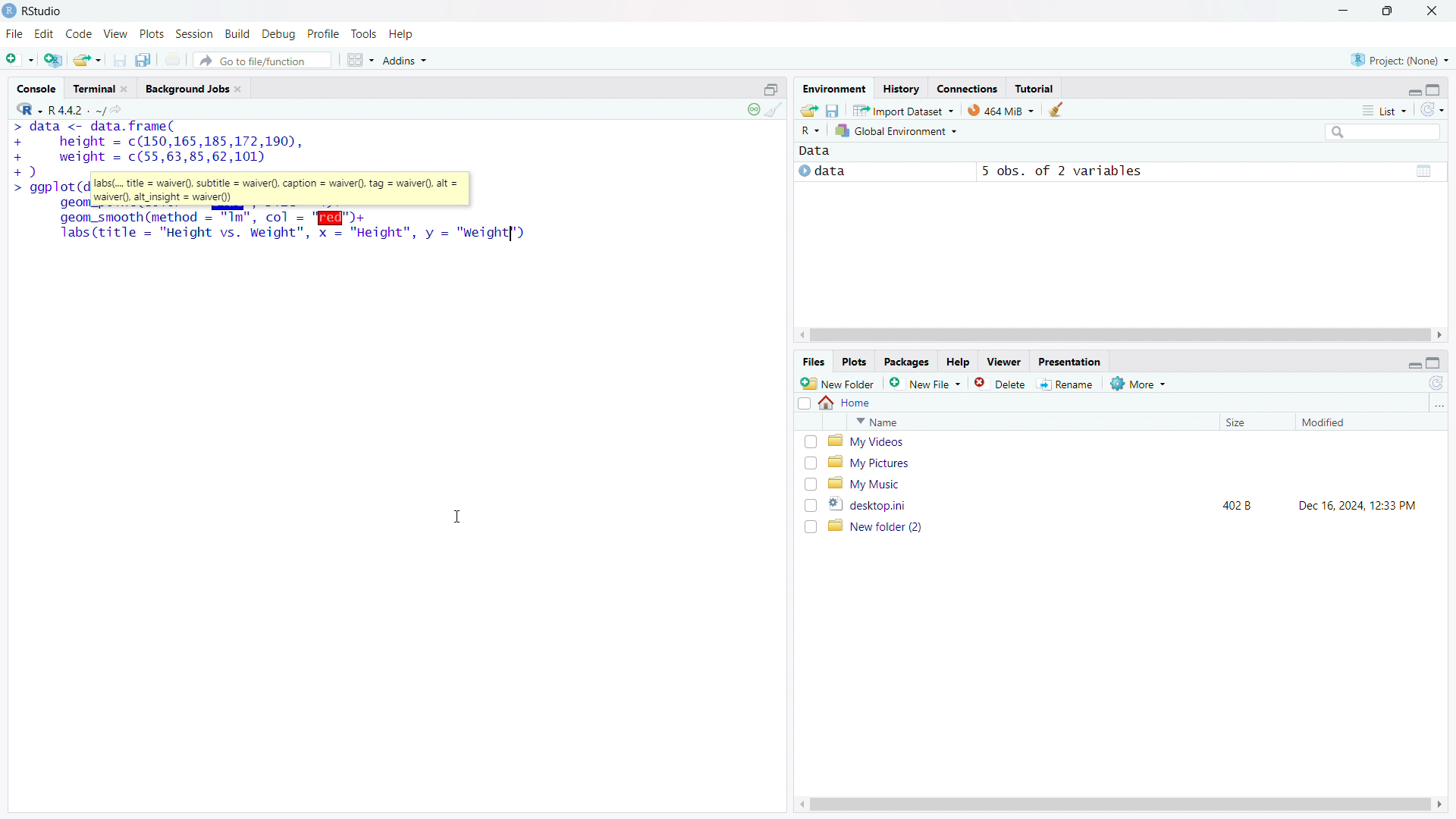 The height and width of the screenshot is (819, 1456). What do you see at coordinates (1384, 110) in the screenshot?
I see `list` at bounding box center [1384, 110].